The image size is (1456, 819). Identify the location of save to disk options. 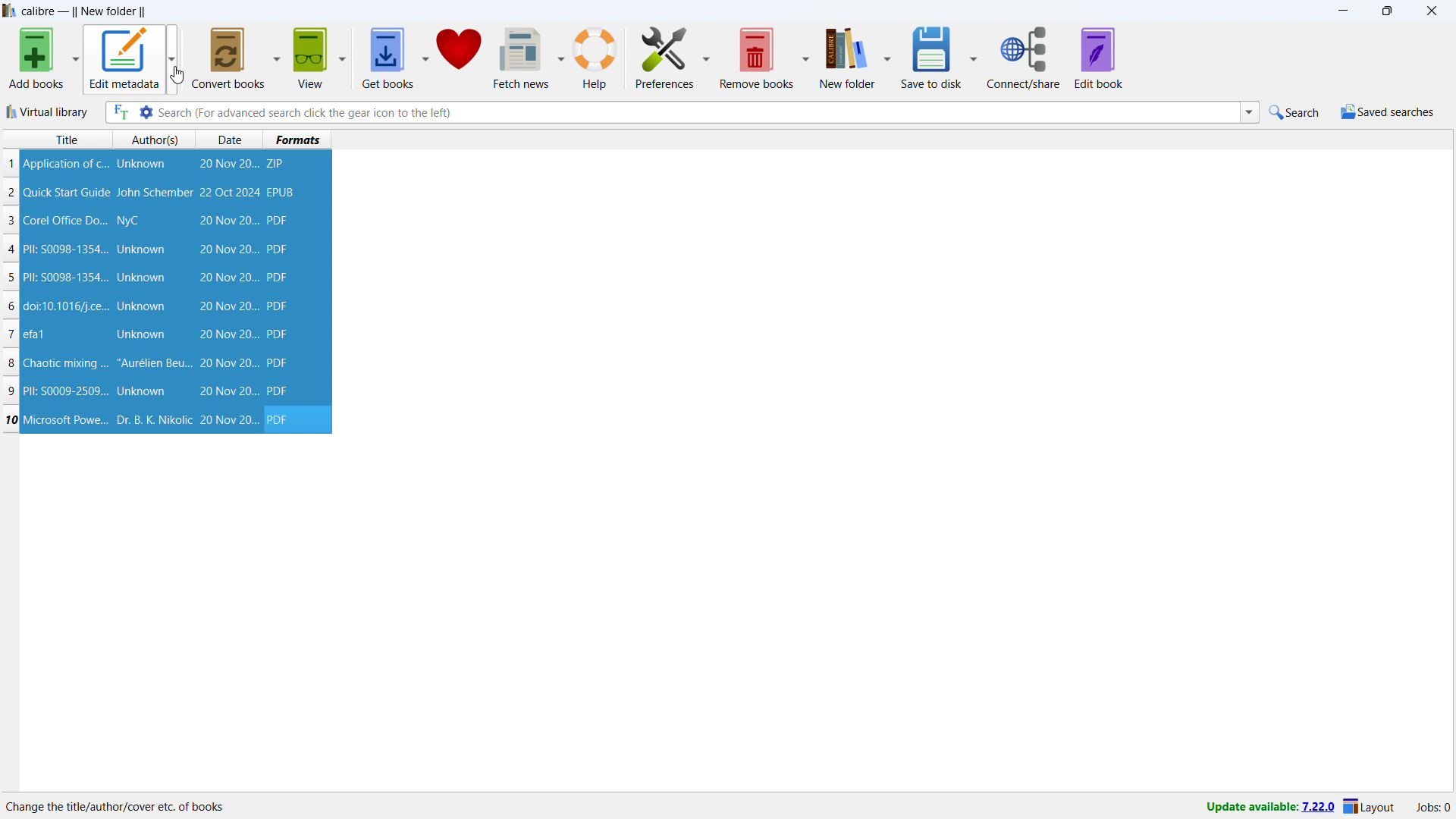
(975, 57).